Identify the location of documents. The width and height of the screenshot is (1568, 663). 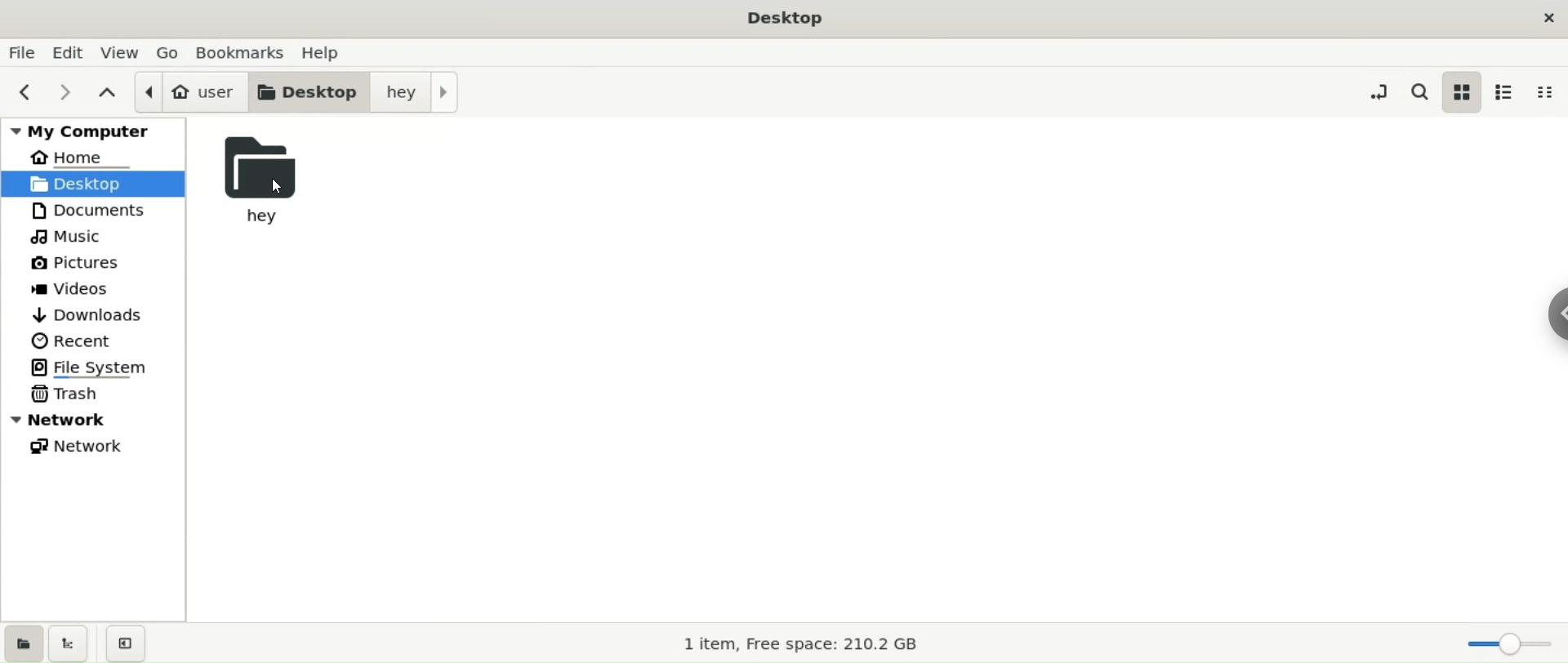
(94, 209).